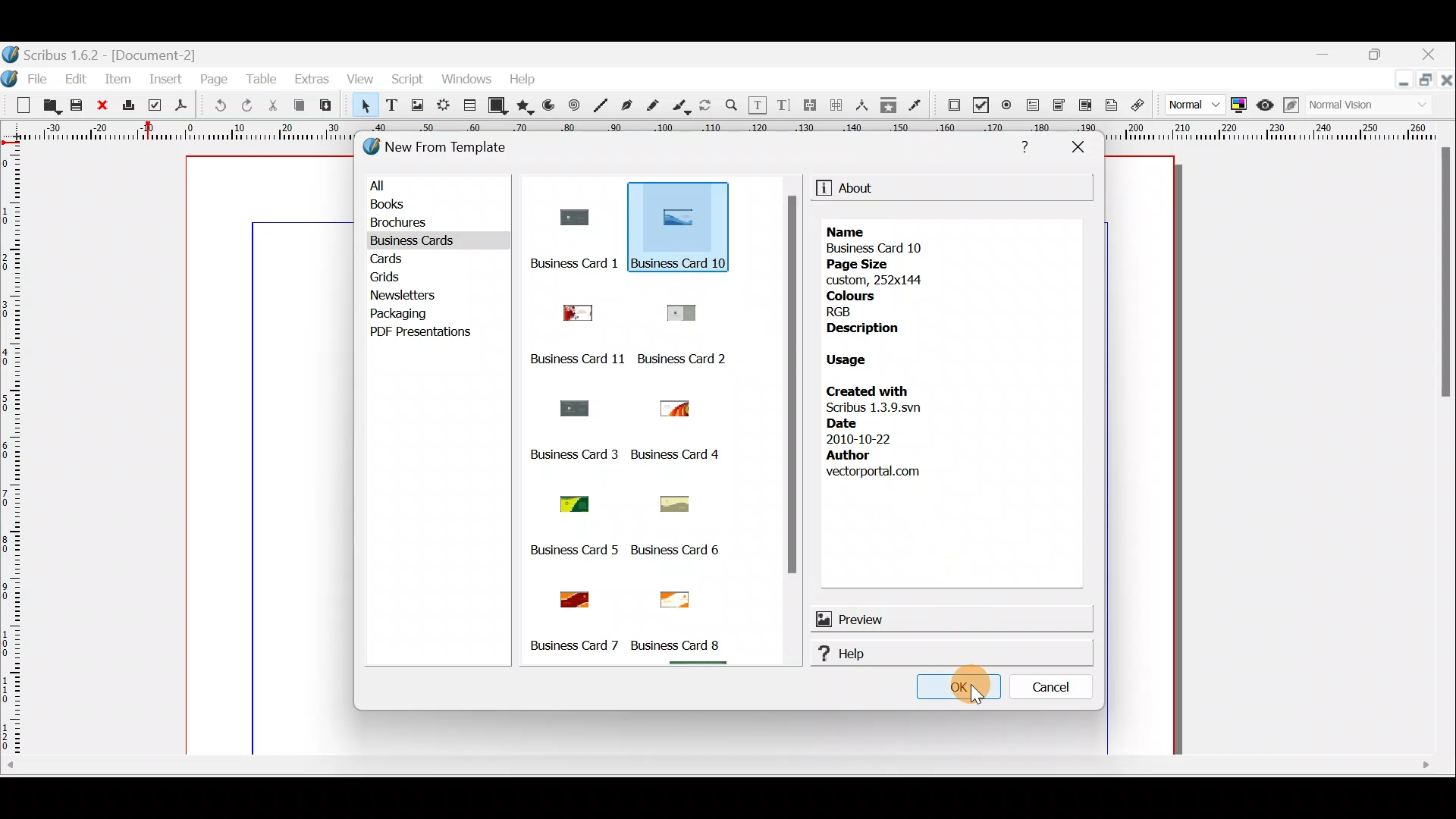  Describe the element at coordinates (274, 106) in the screenshot. I see `Cut` at that location.